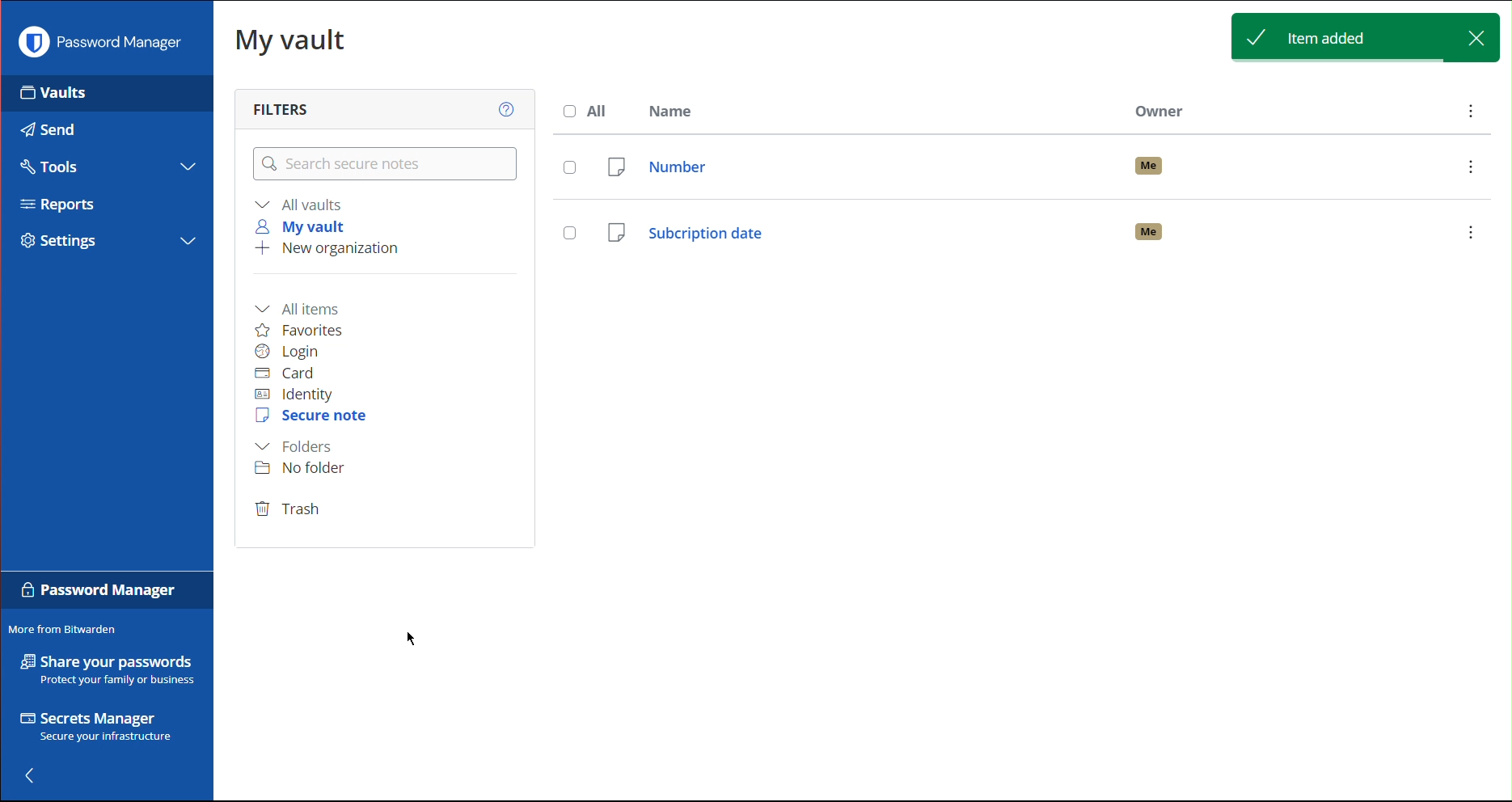  Describe the element at coordinates (66, 241) in the screenshot. I see `Settings` at that location.